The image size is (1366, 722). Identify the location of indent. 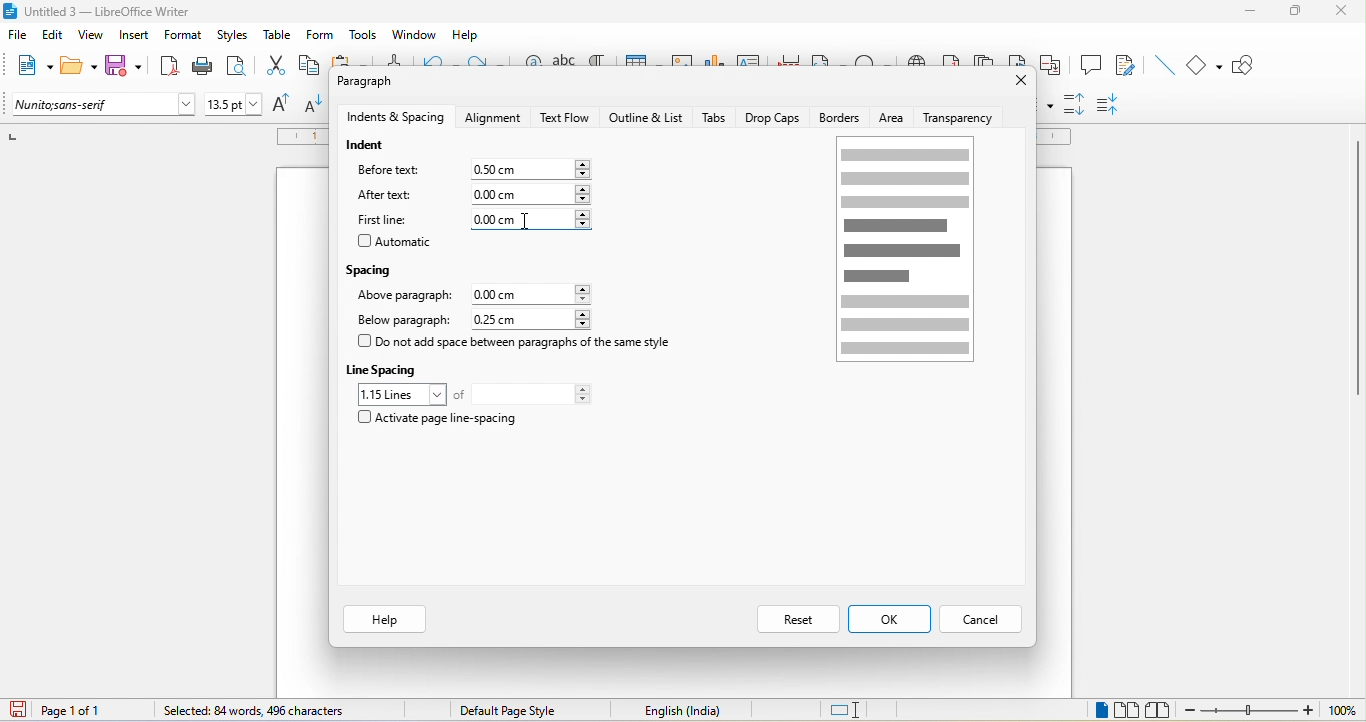
(371, 147).